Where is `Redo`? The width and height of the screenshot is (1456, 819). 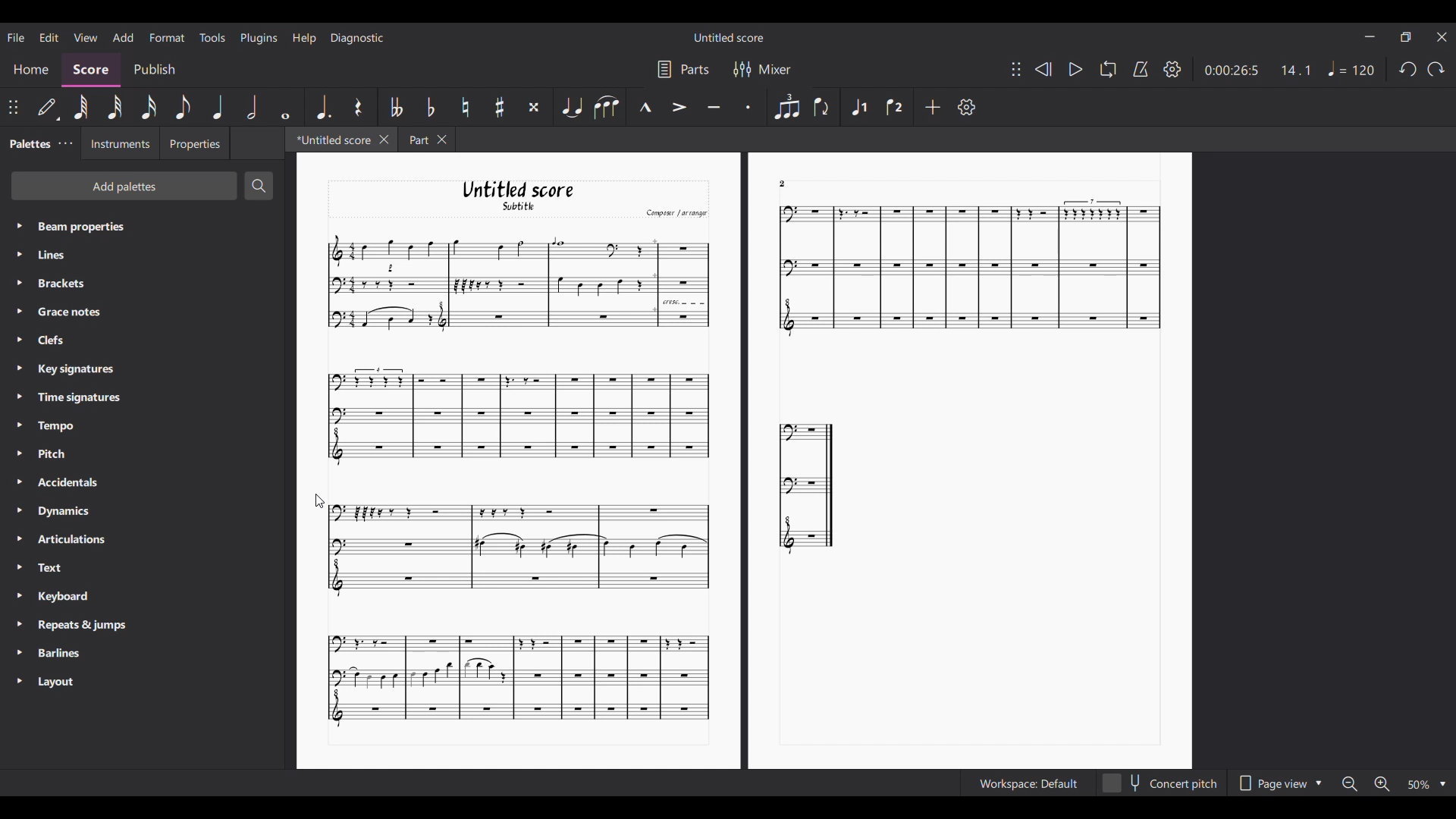
Redo is located at coordinates (1436, 69).